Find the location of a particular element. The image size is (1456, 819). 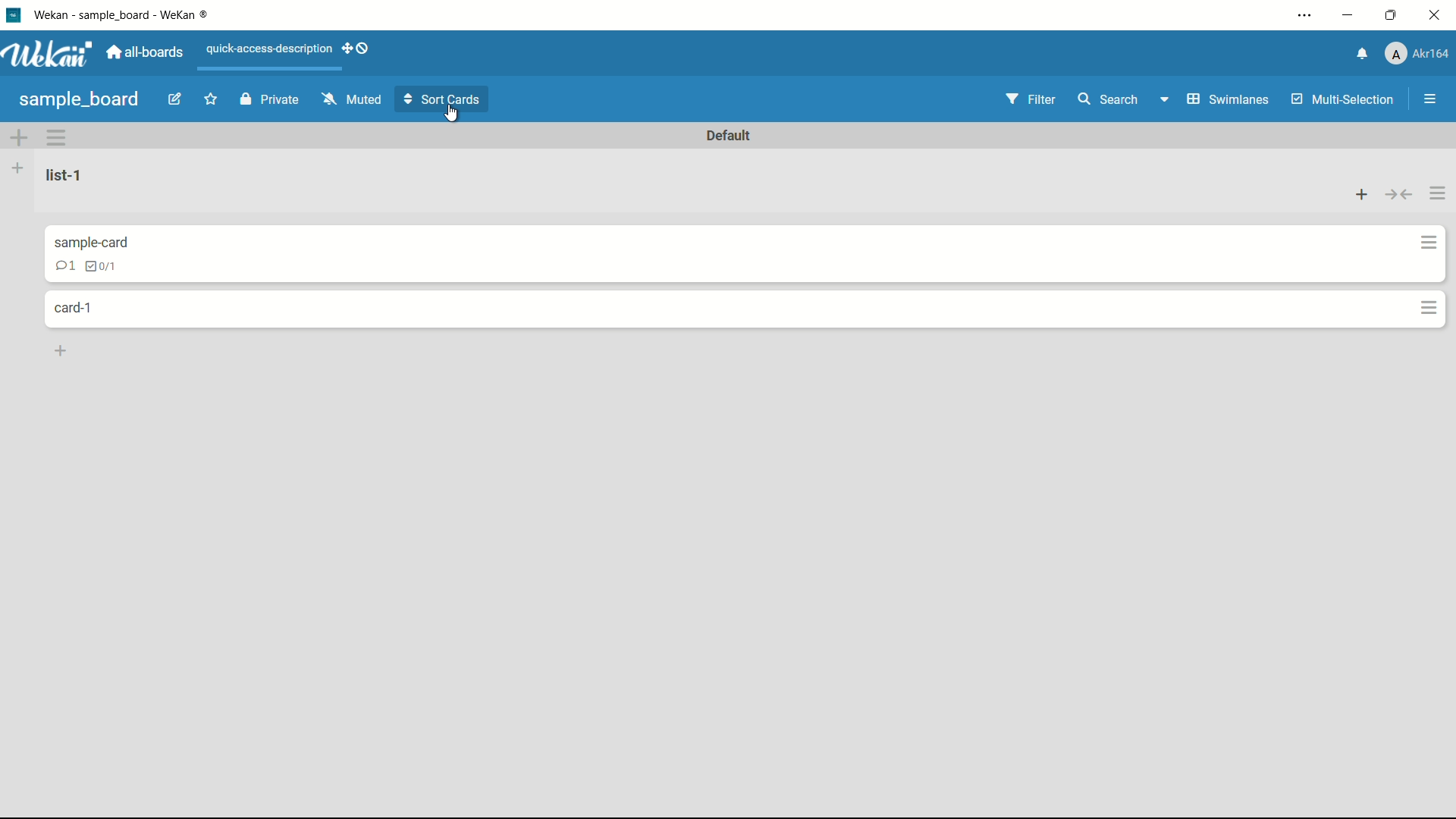

collapse is located at coordinates (1398, 196).